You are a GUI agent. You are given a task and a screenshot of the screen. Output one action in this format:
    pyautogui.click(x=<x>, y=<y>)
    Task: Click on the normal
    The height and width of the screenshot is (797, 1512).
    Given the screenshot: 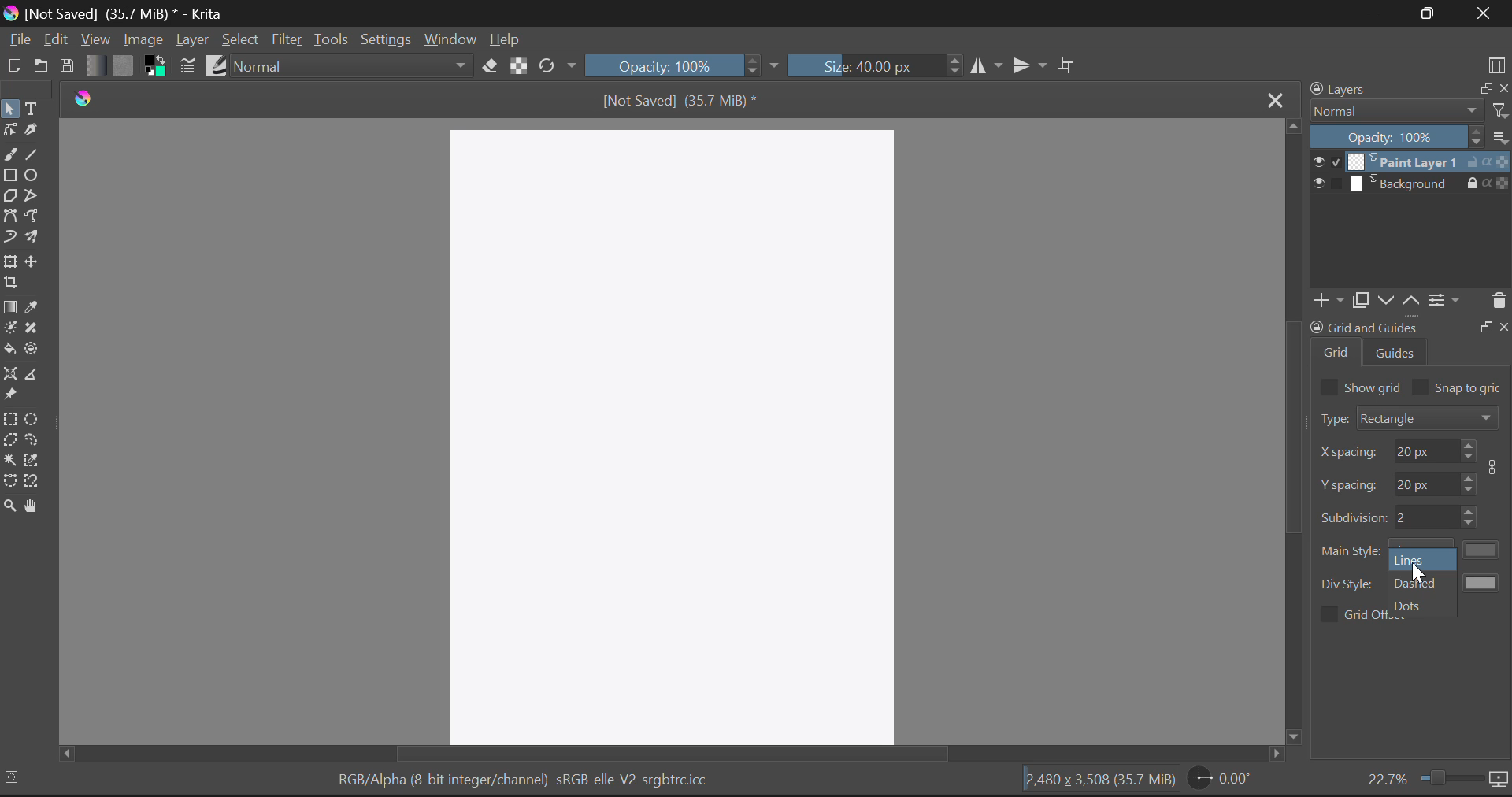 What is the action you would take?
    pyautogui.click(x=1396, y=110)
    